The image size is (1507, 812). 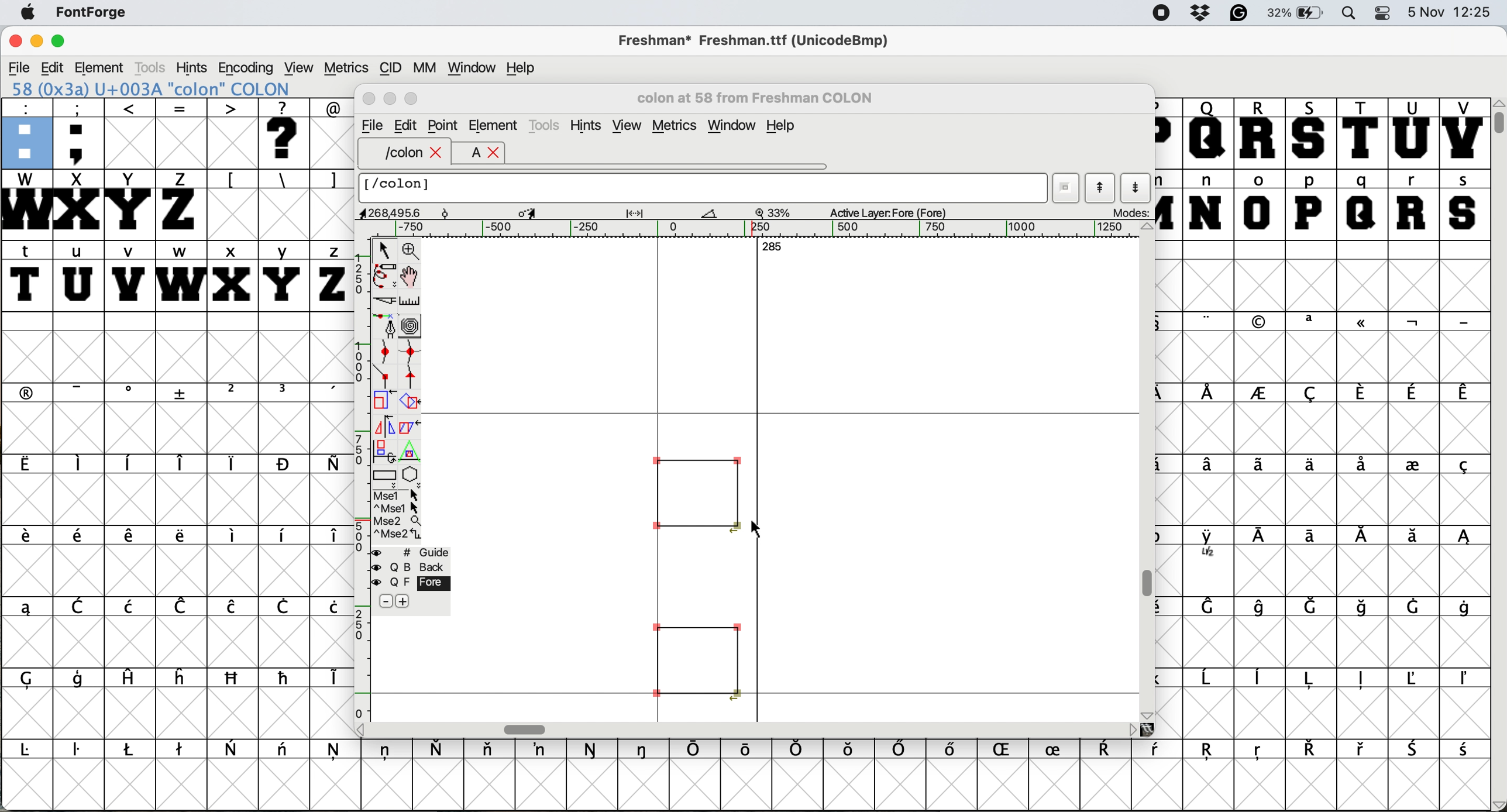 I want to click on guide, so click(x=408, y=551).